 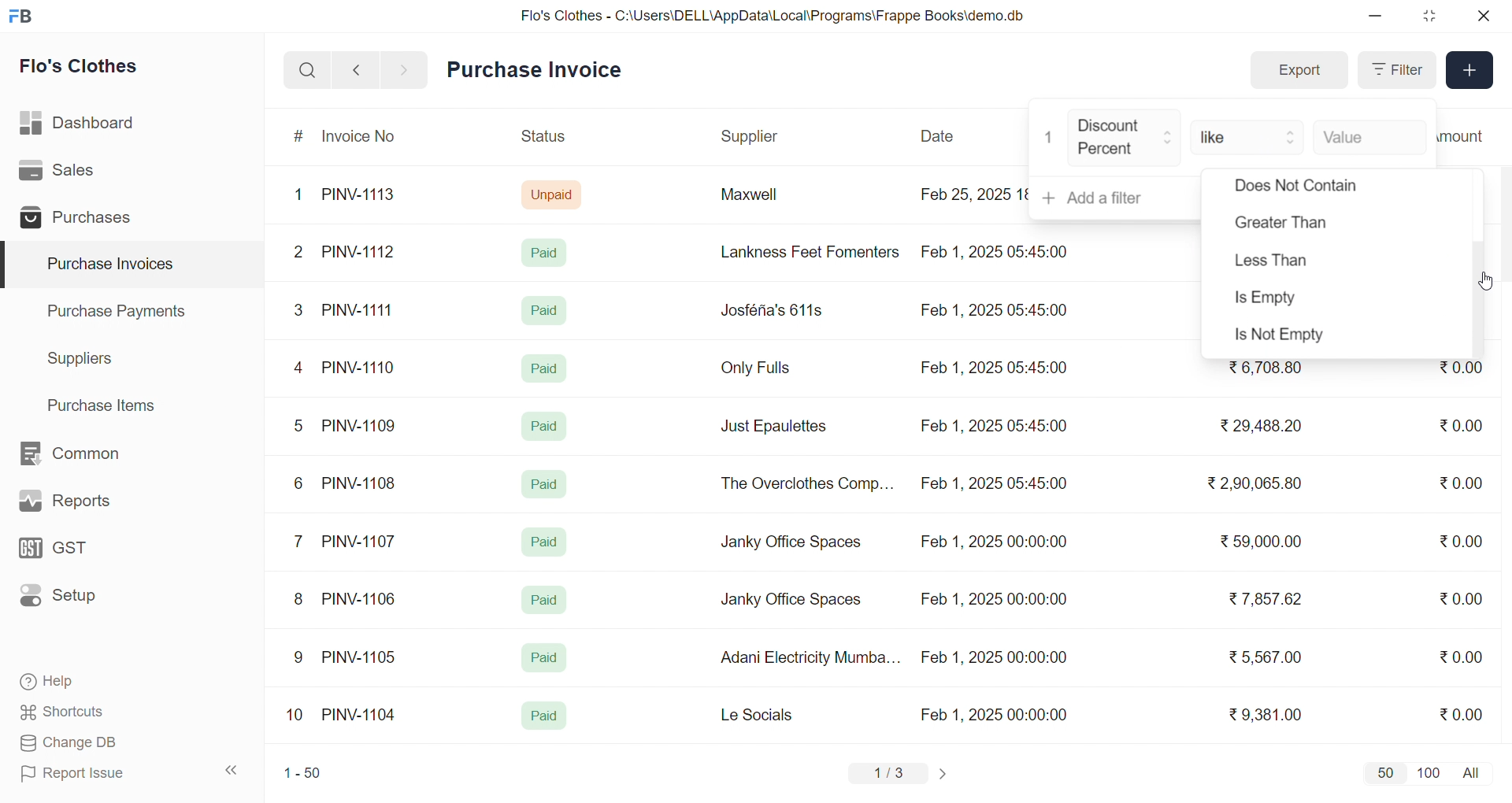 I want to click on Feb 25, 2025 18:16:25, so click(x=972, y=194).